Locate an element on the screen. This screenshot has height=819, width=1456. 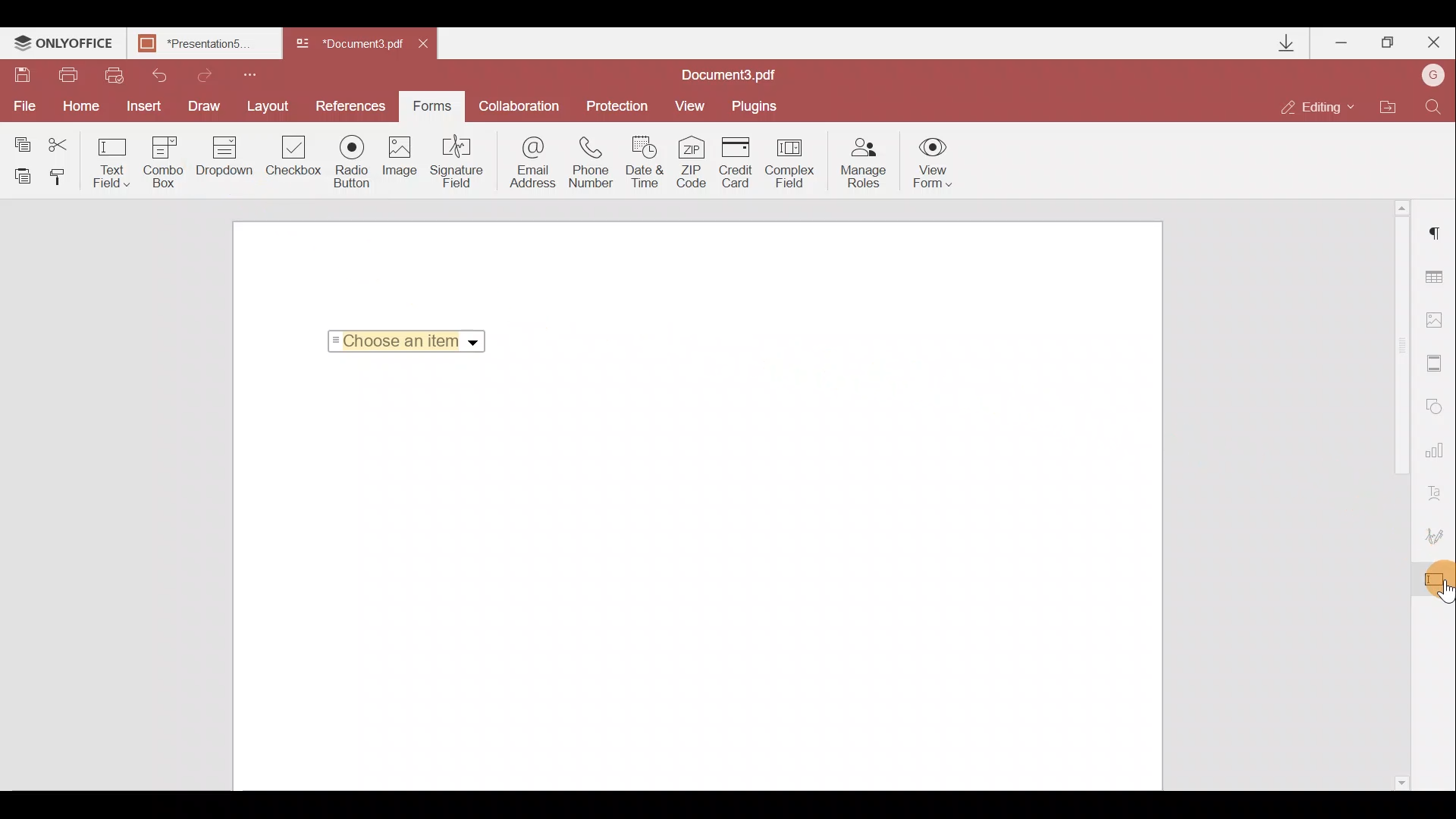
Paste is located at coordinates (21, 178).